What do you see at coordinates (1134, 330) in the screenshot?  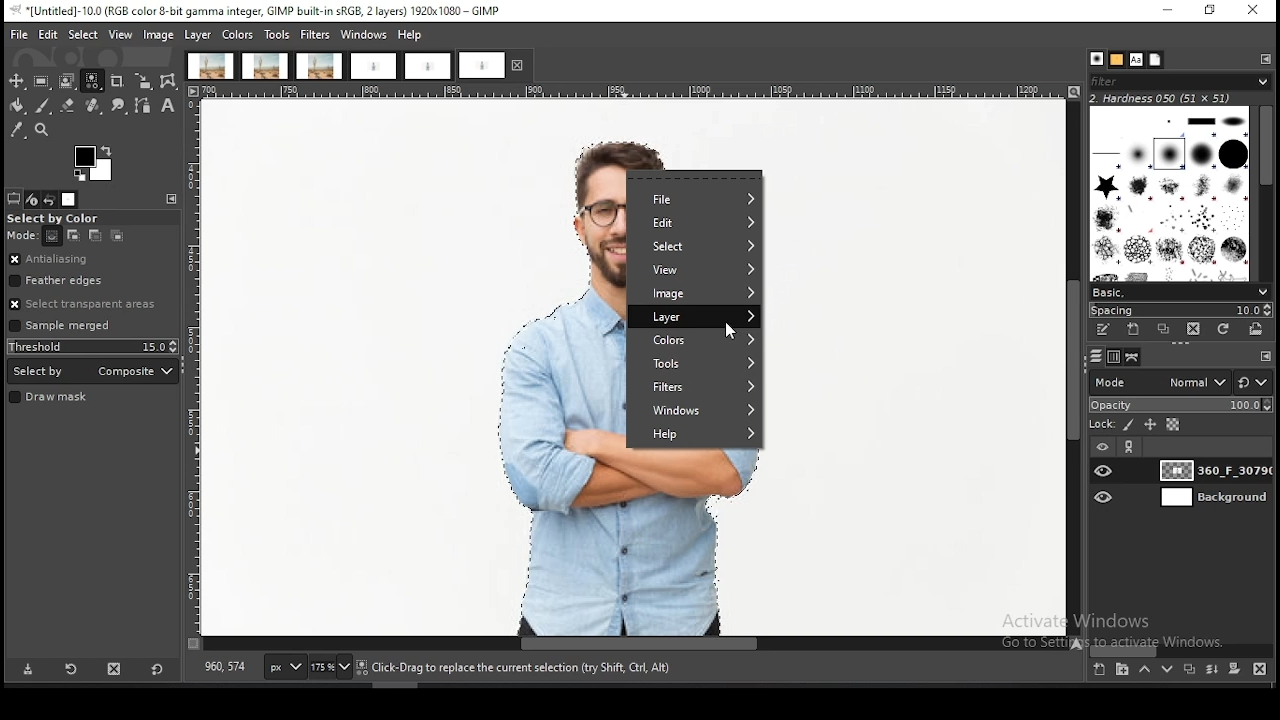 I see `create a new brush` at bounding box center [1134, 330].